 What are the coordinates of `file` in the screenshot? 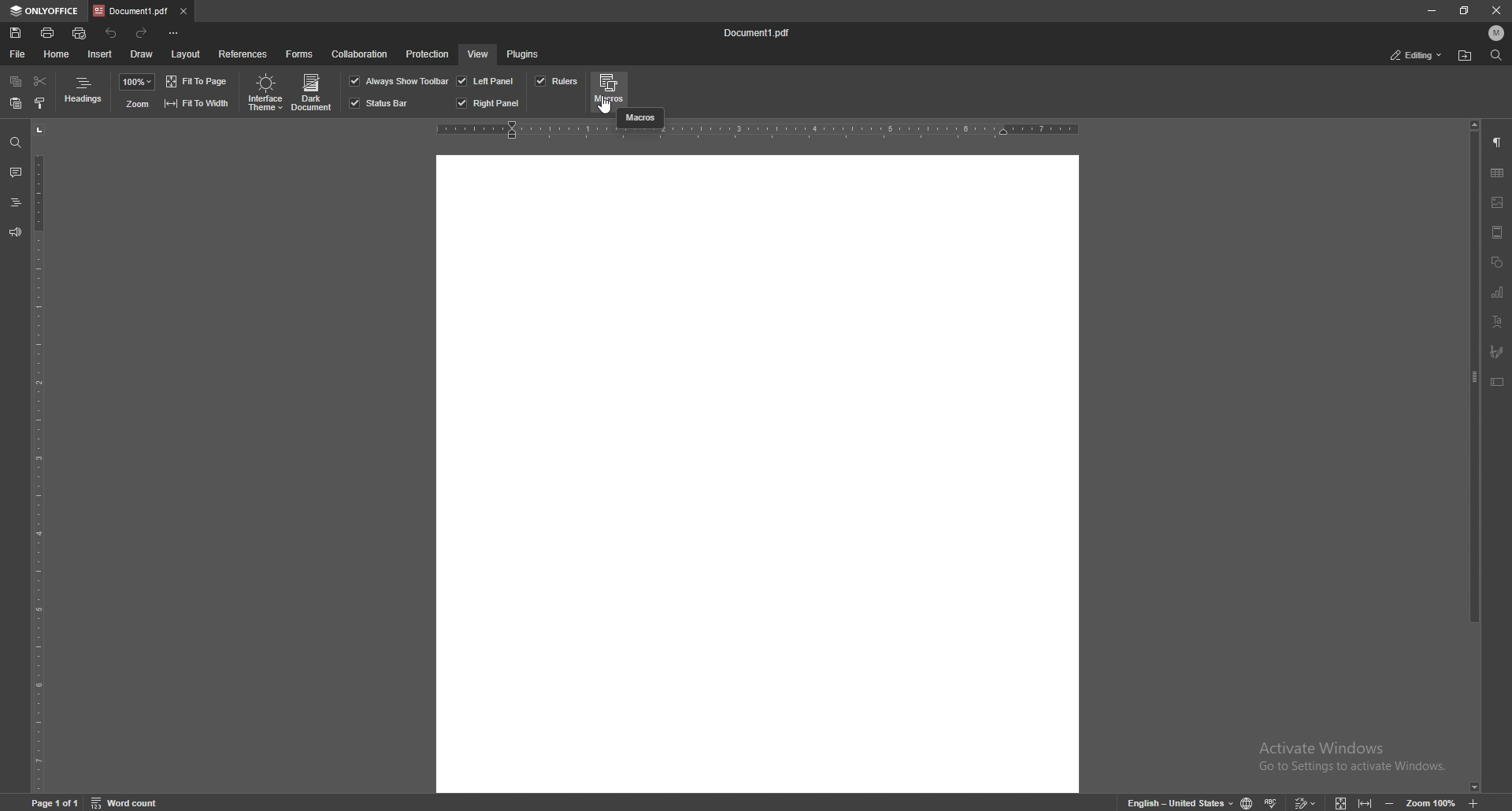 It's located at (18, 54).